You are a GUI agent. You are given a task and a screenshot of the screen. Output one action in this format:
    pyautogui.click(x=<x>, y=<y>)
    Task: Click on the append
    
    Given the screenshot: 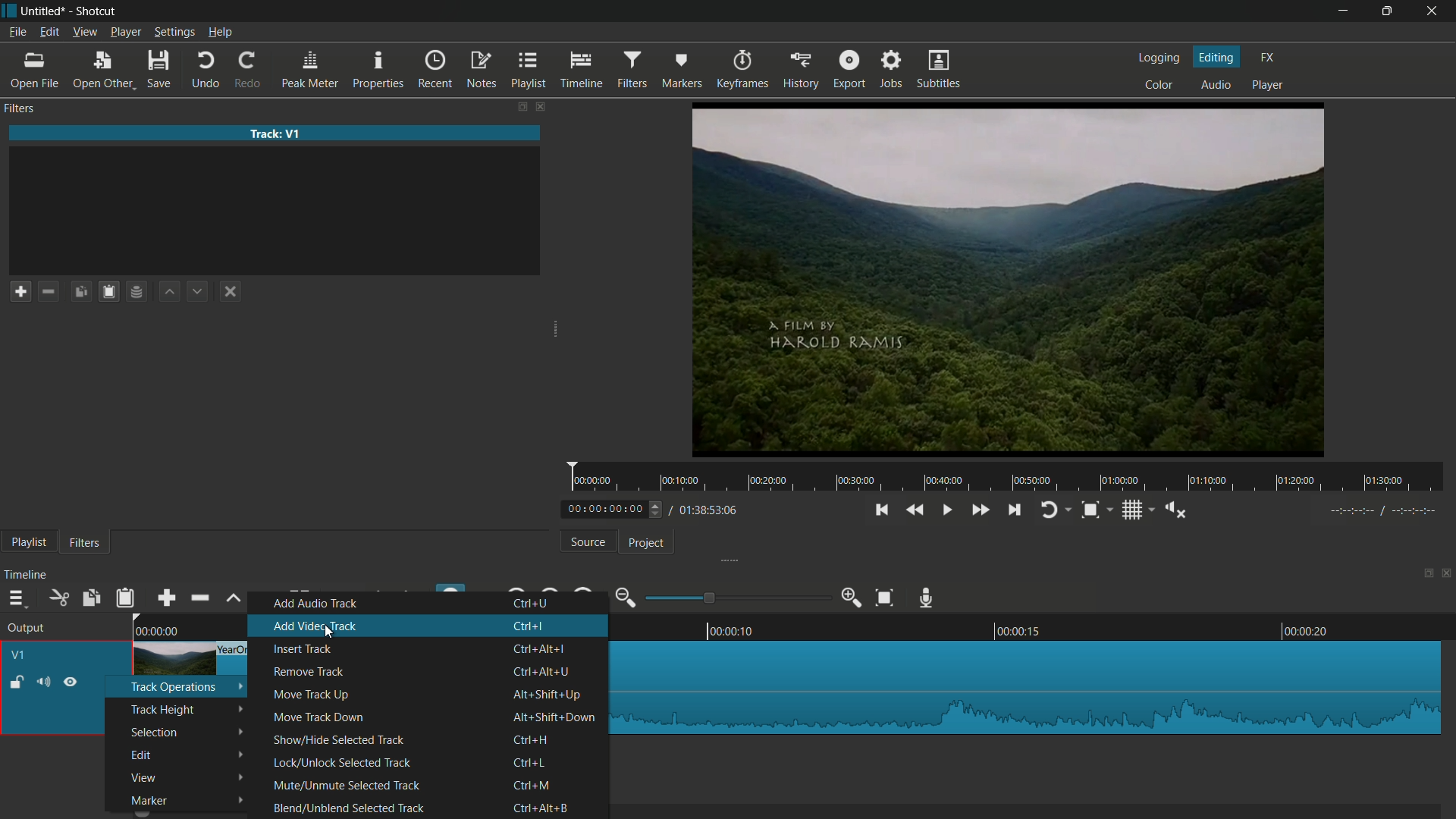 What is the action you would take?
    pyautogui.click(x=163, y=598)
    